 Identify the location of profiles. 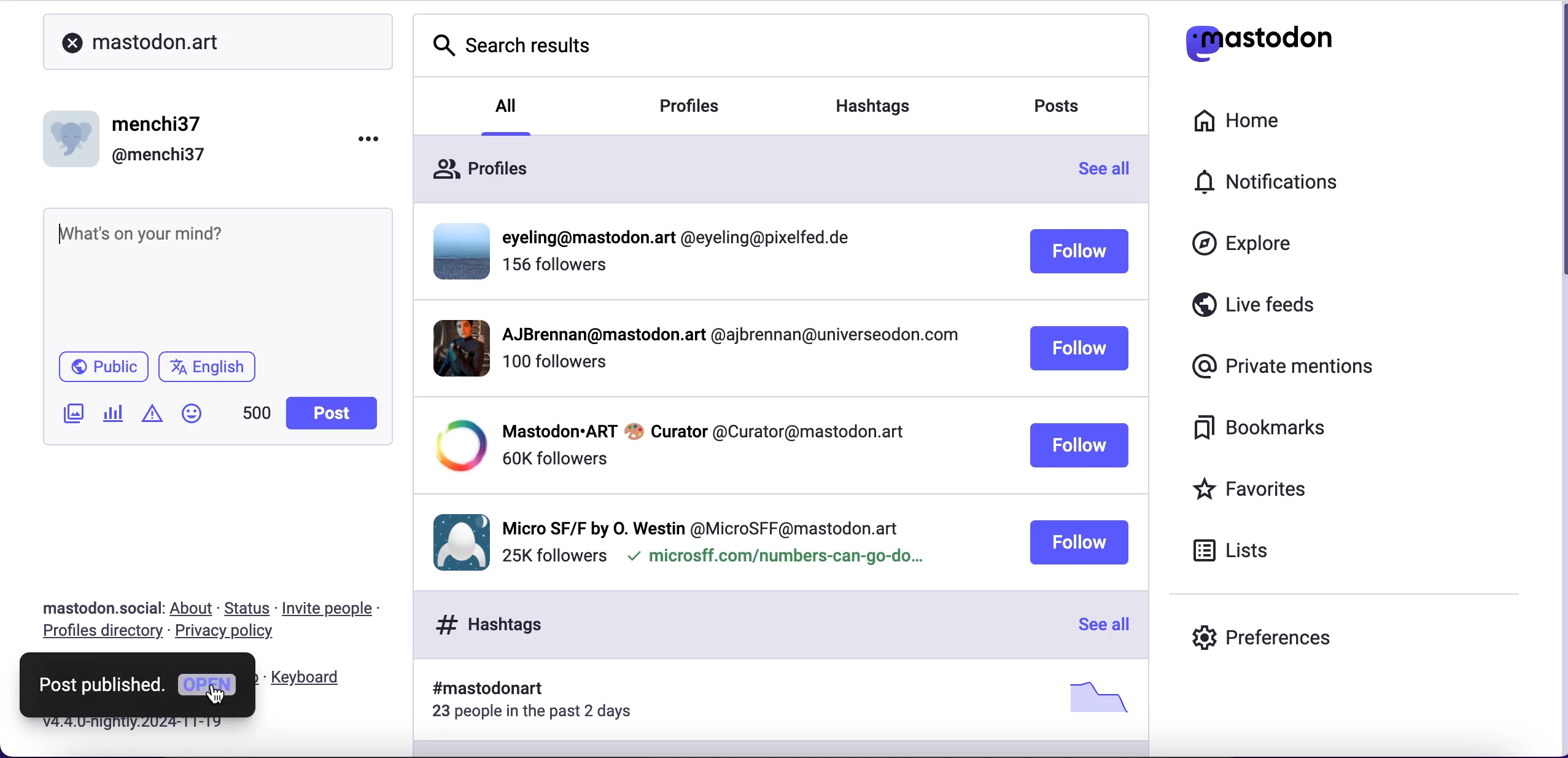
(747, 168).